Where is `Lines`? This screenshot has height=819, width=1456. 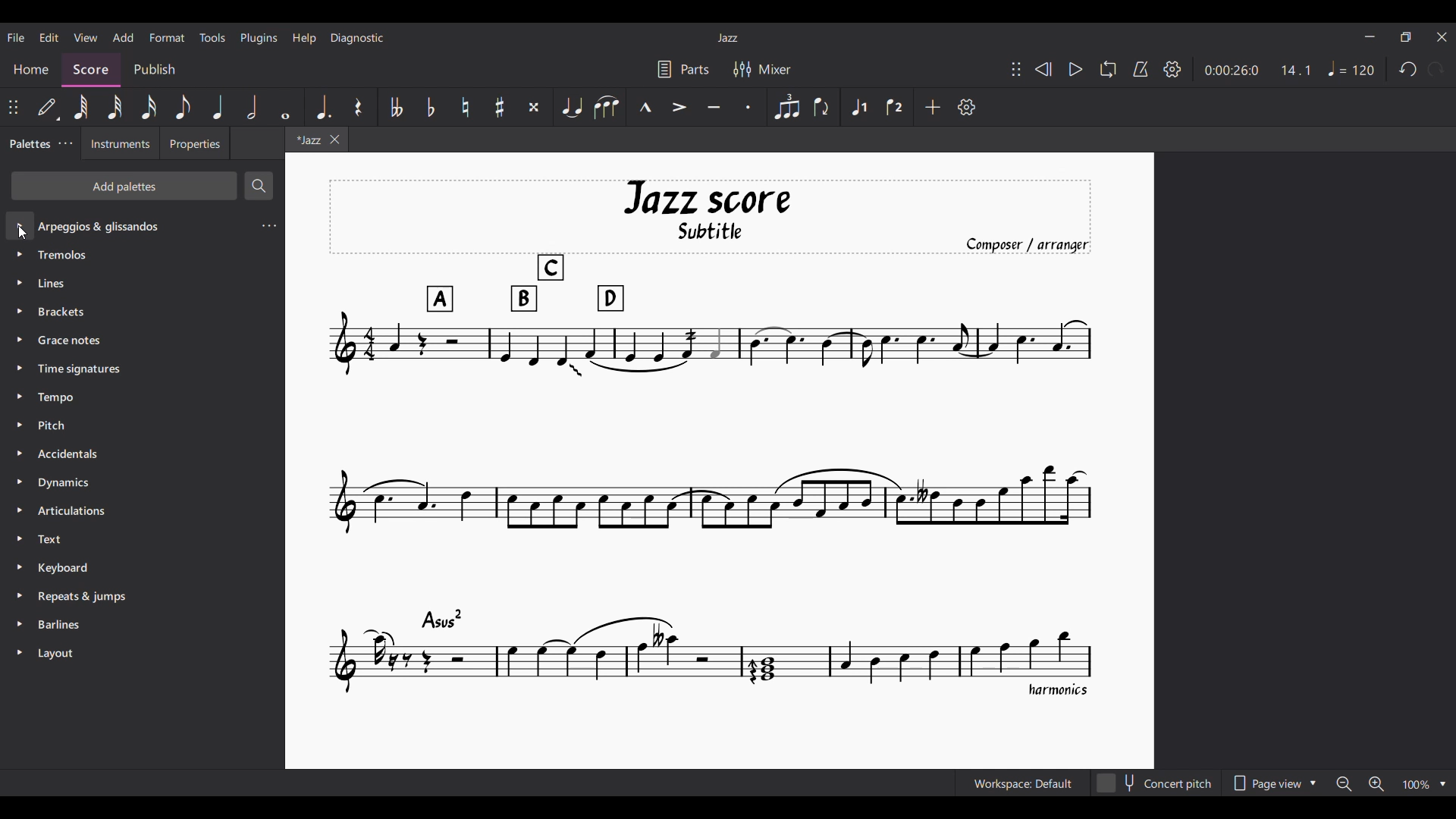
Lines is located at coordinates (55, 283).